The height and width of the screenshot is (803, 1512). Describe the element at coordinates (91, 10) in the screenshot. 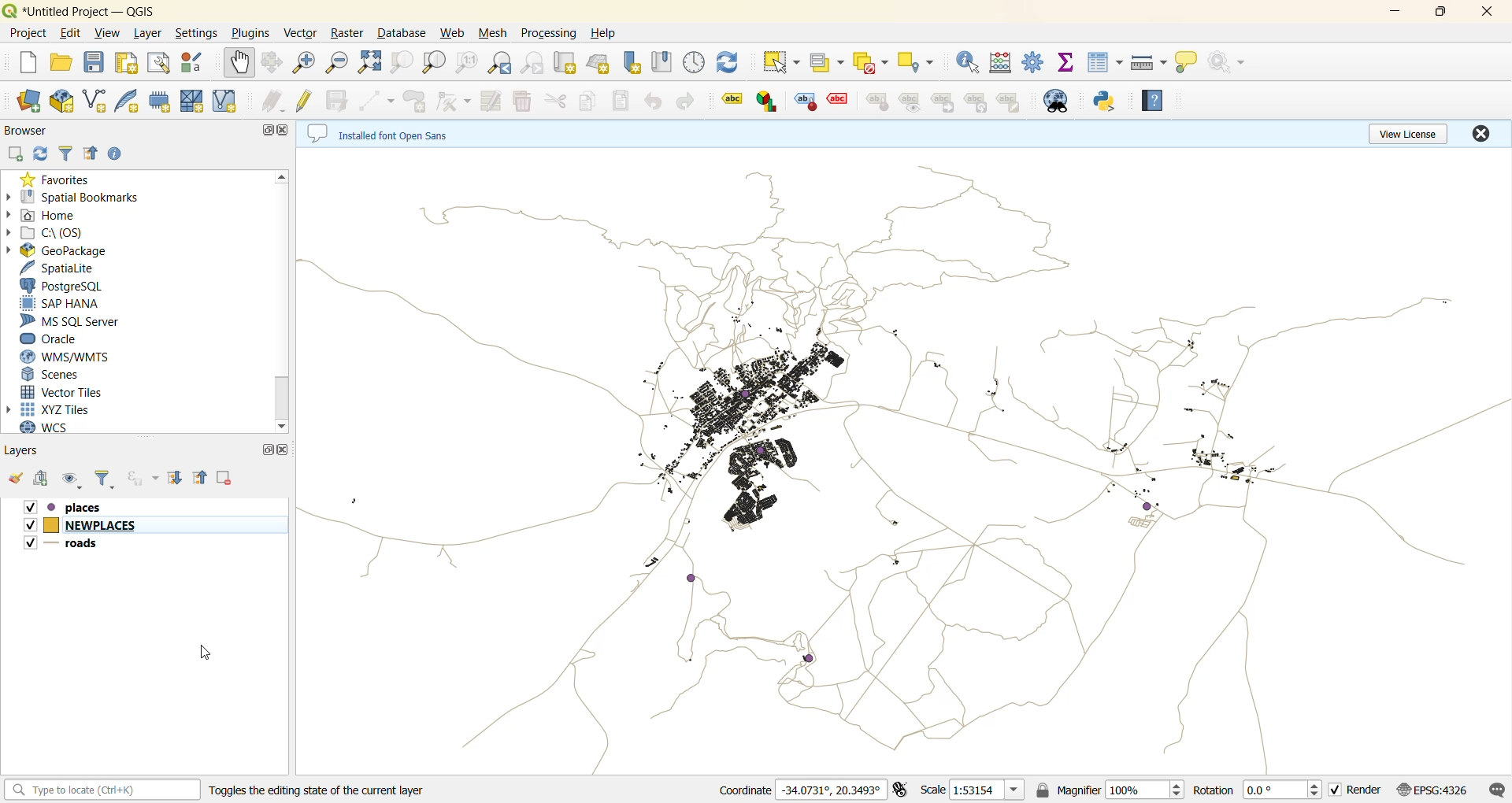

I see `file name and app name` at that location.